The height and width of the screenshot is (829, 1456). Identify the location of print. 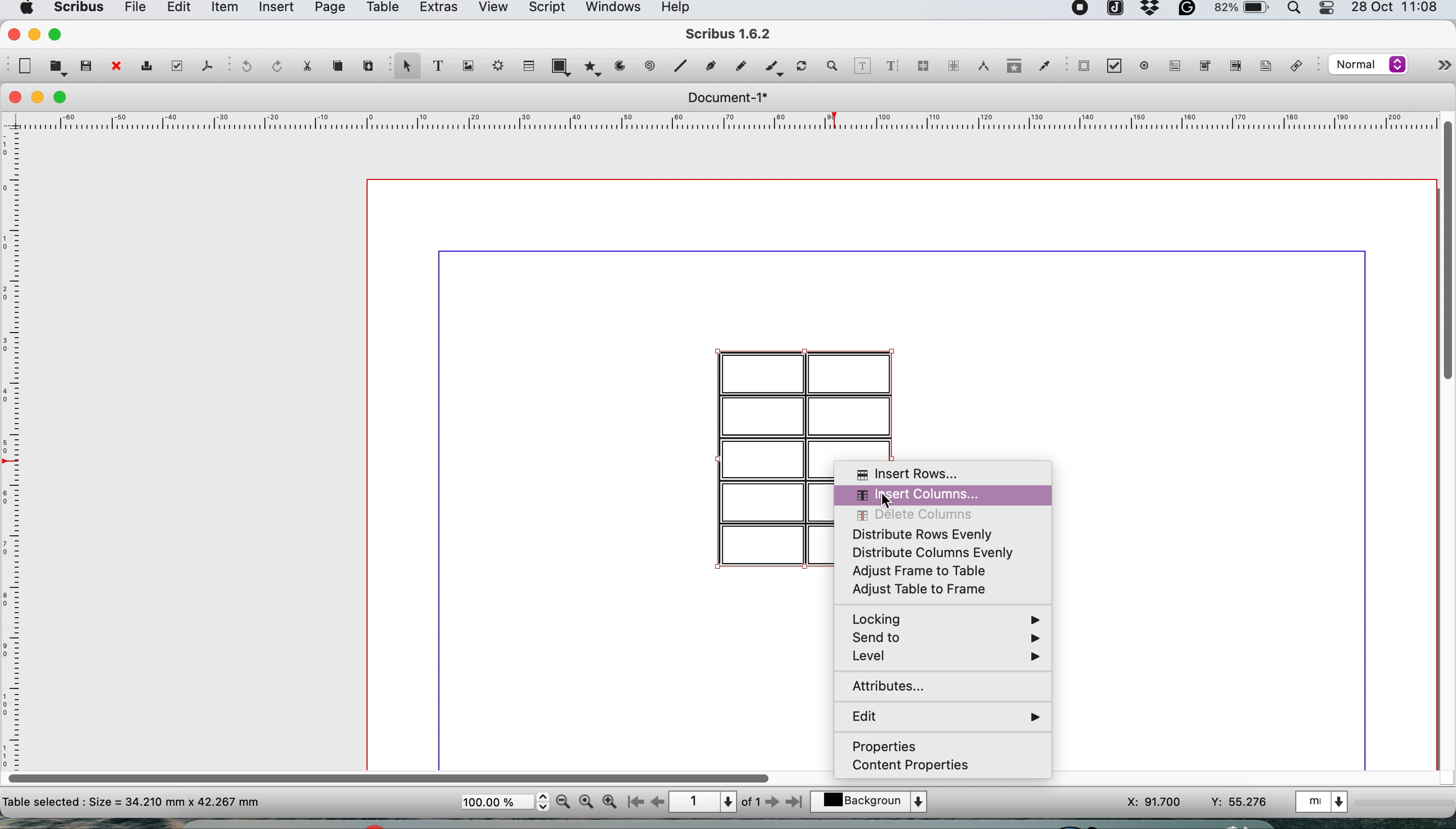
(145, 68).